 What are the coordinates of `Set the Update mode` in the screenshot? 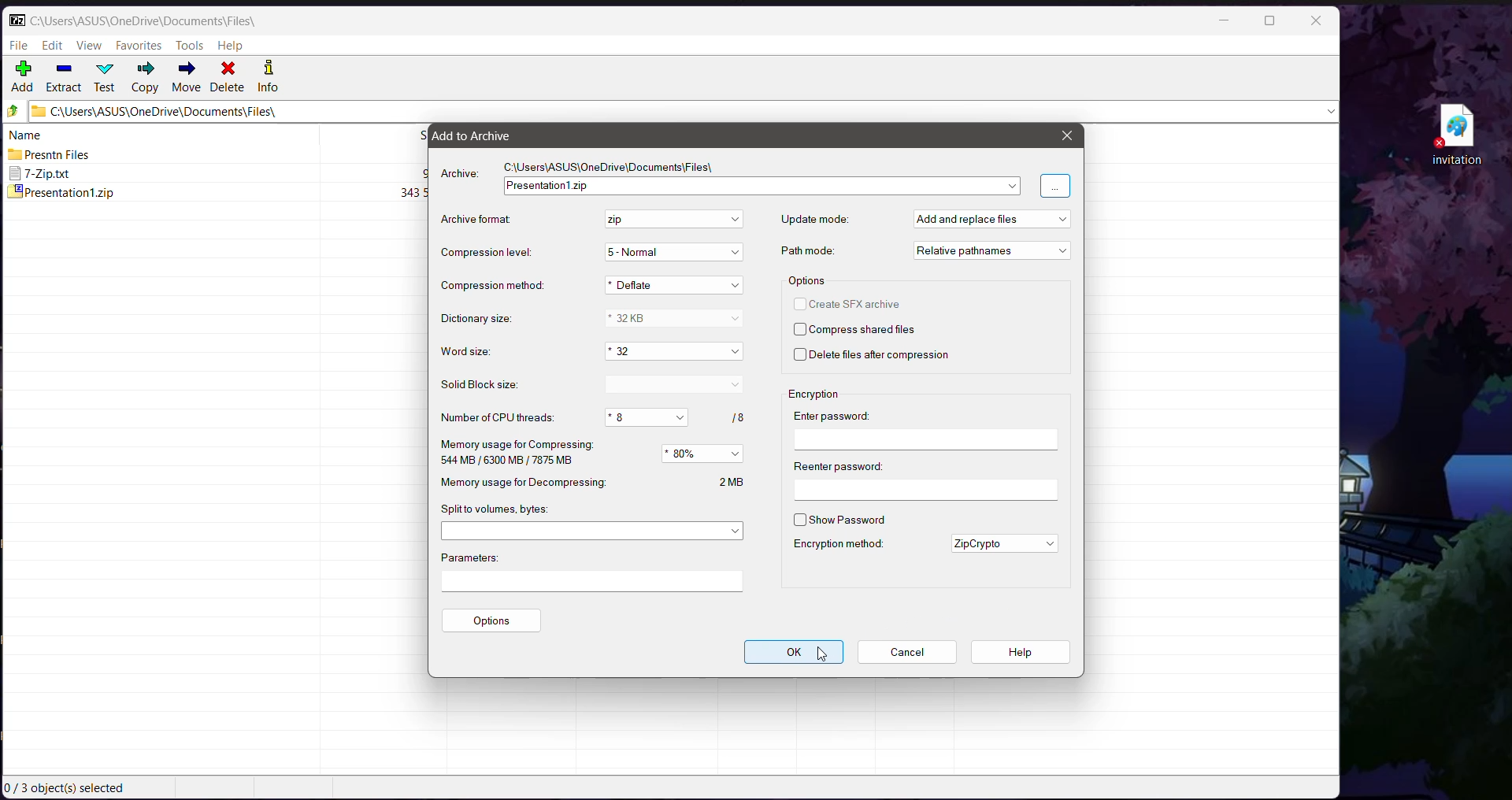 It's located at (991, 217).